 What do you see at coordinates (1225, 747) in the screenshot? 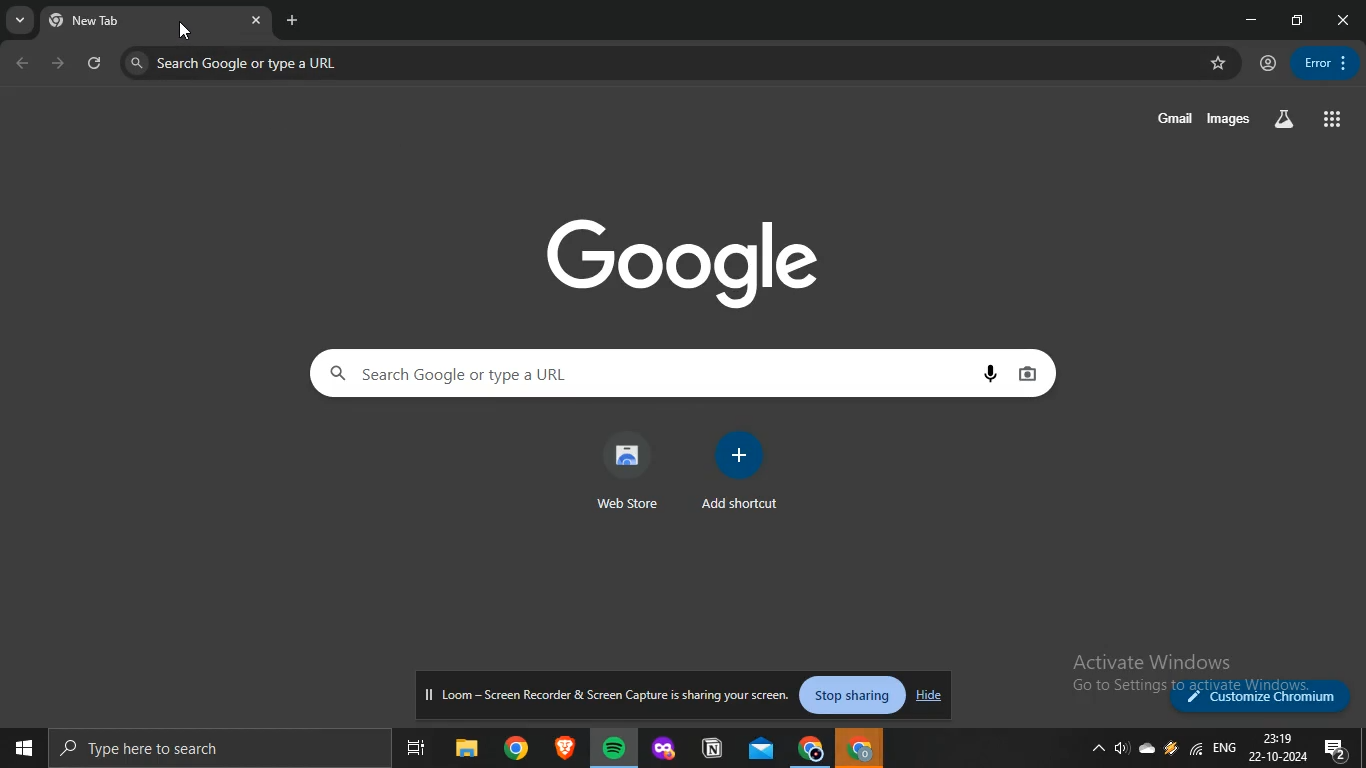
I see `english` at bounding box center [1225, 747].